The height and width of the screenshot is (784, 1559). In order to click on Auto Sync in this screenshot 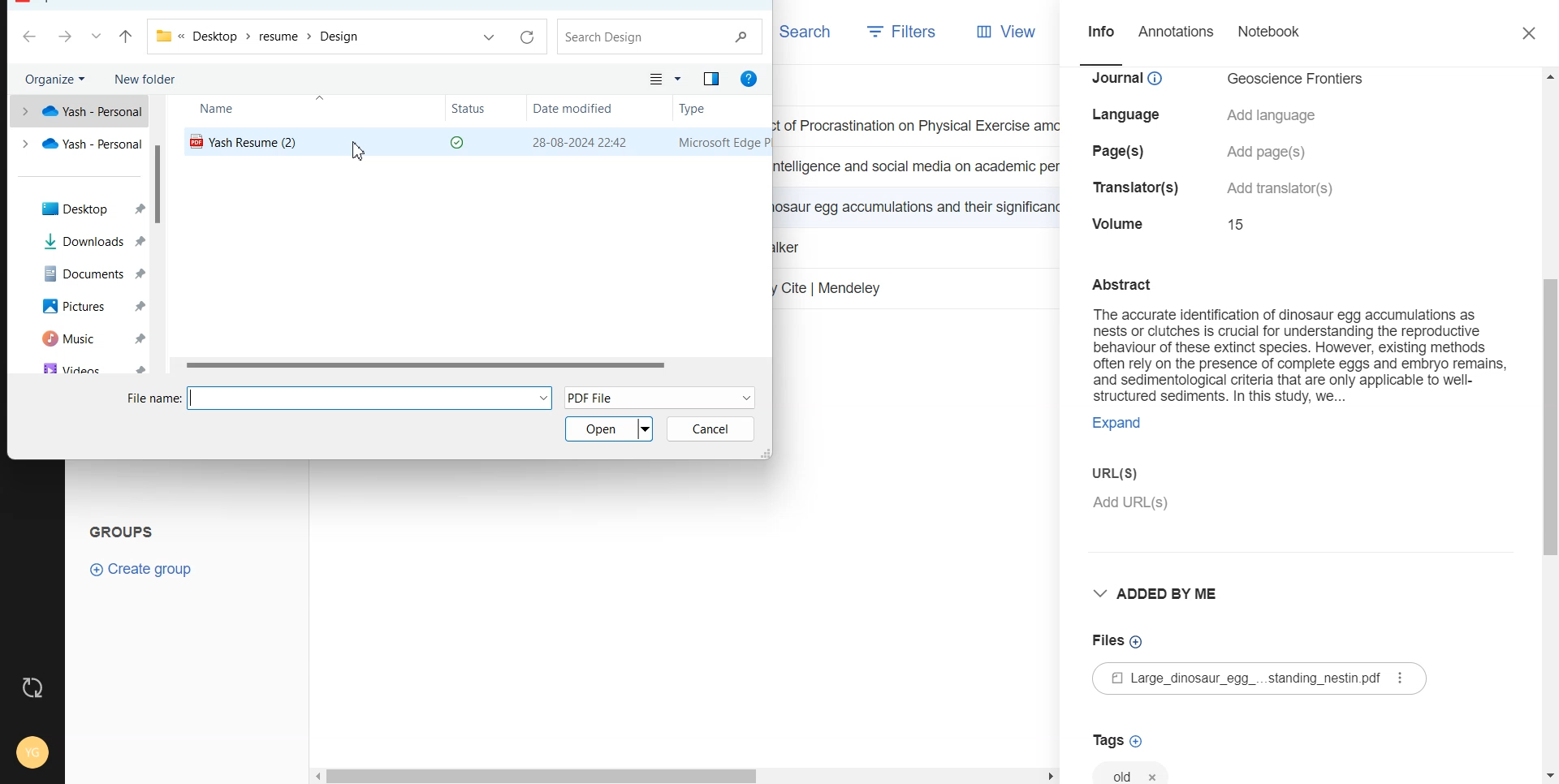, I will do `click(32, 687)`.